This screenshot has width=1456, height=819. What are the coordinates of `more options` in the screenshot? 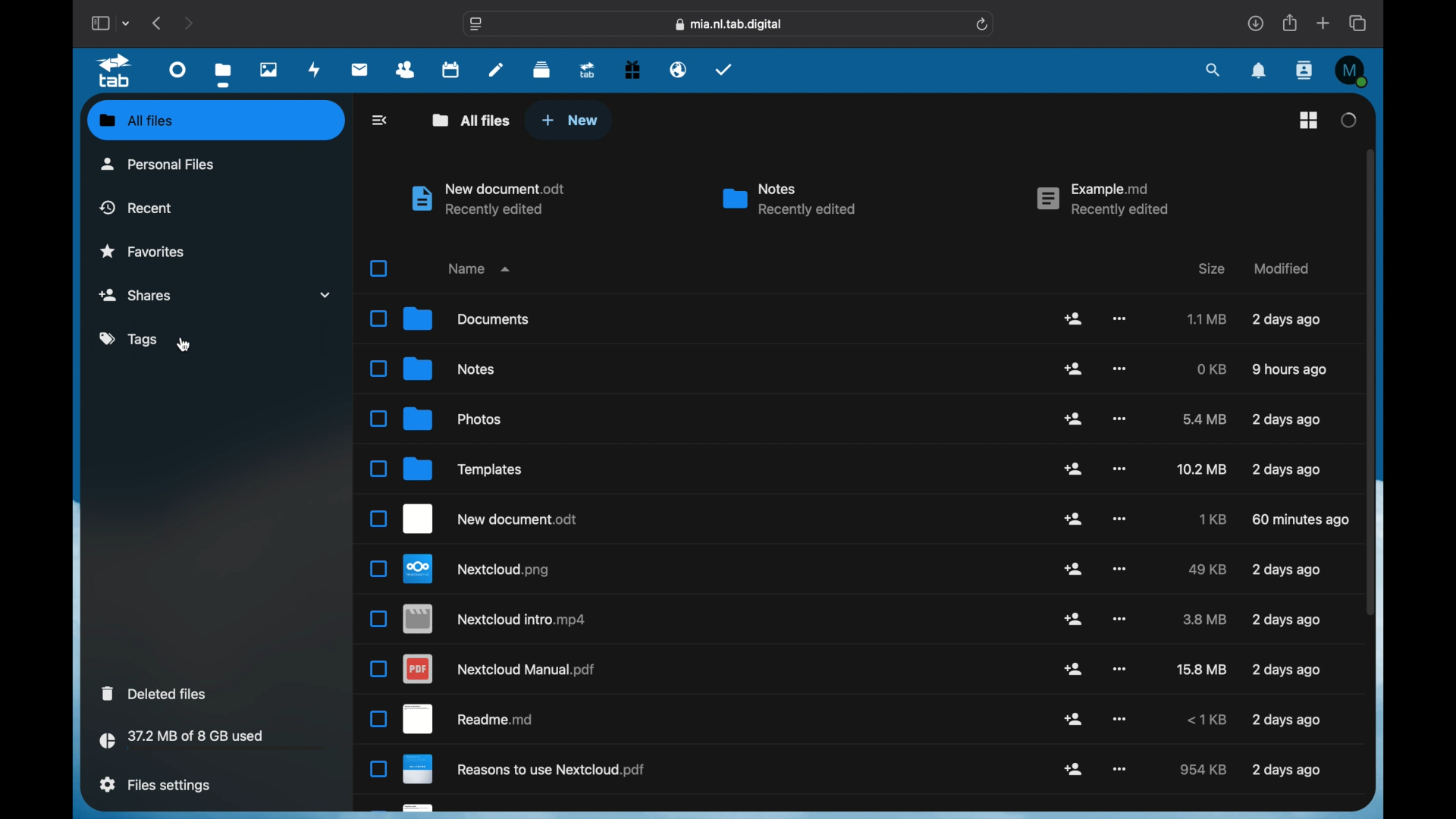 It's located at (1119, 419).